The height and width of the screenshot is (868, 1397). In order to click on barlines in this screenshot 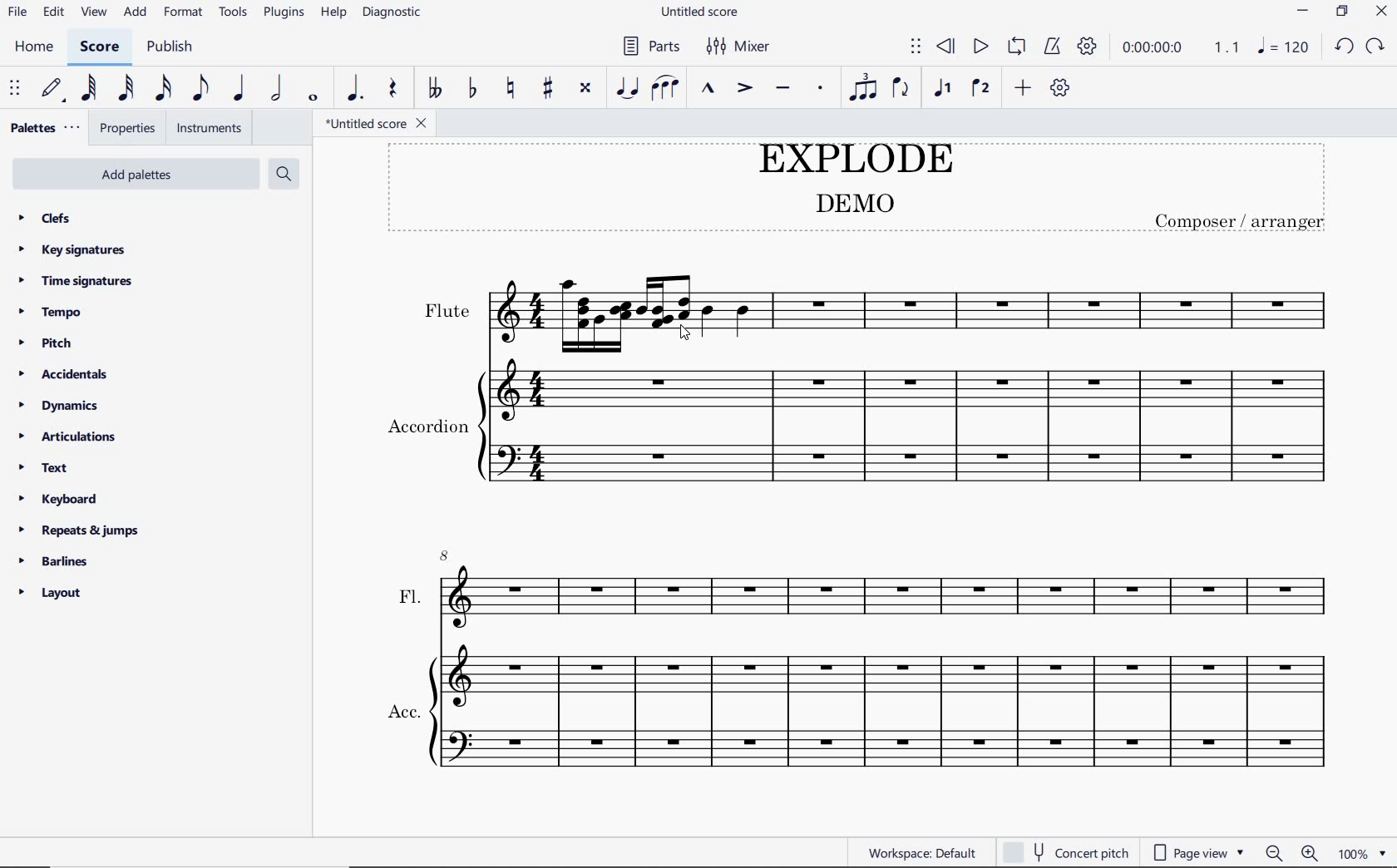, I will do `click(57, 562)`.